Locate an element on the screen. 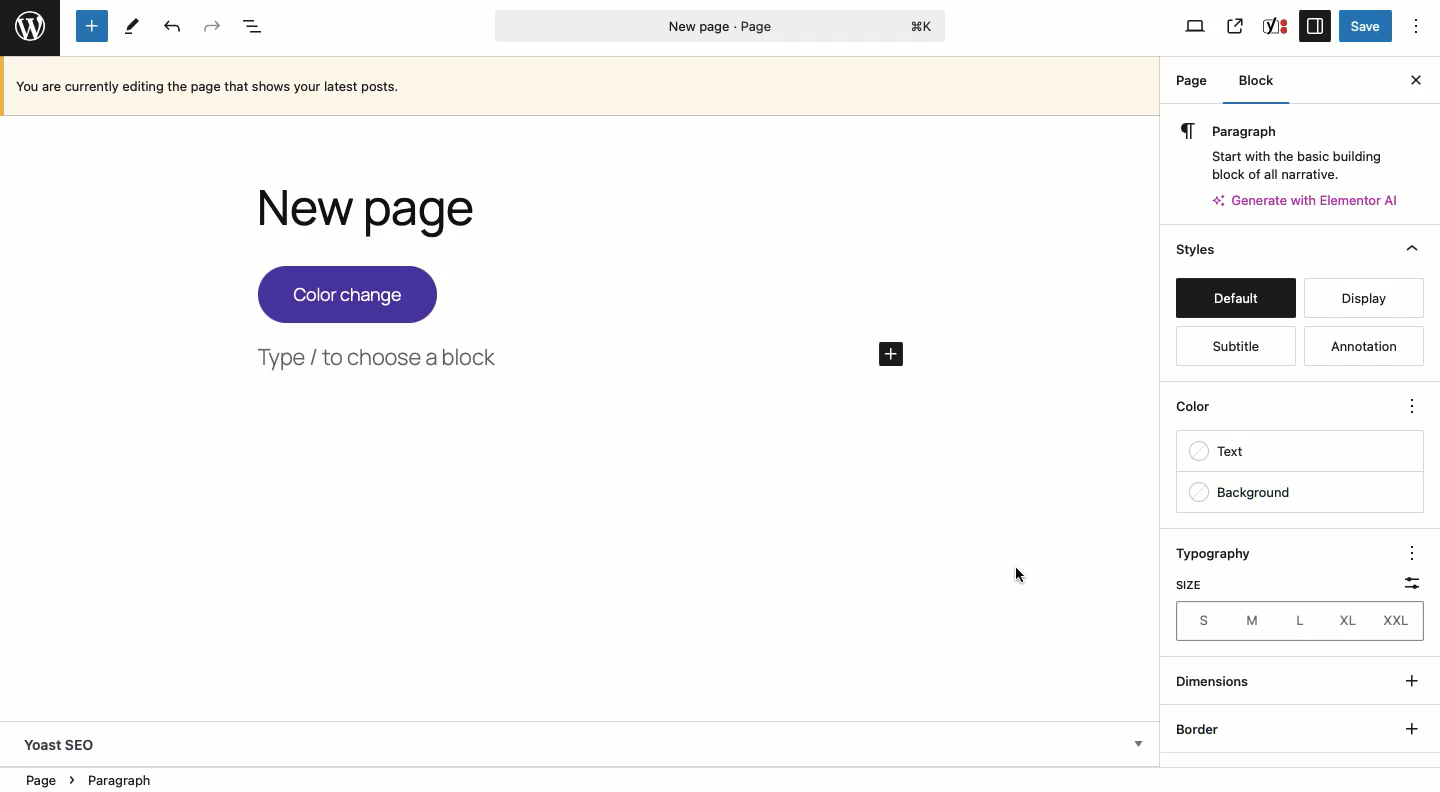 This screenshot has width=1440, height=792. Location is located at coordinates (581, 779).